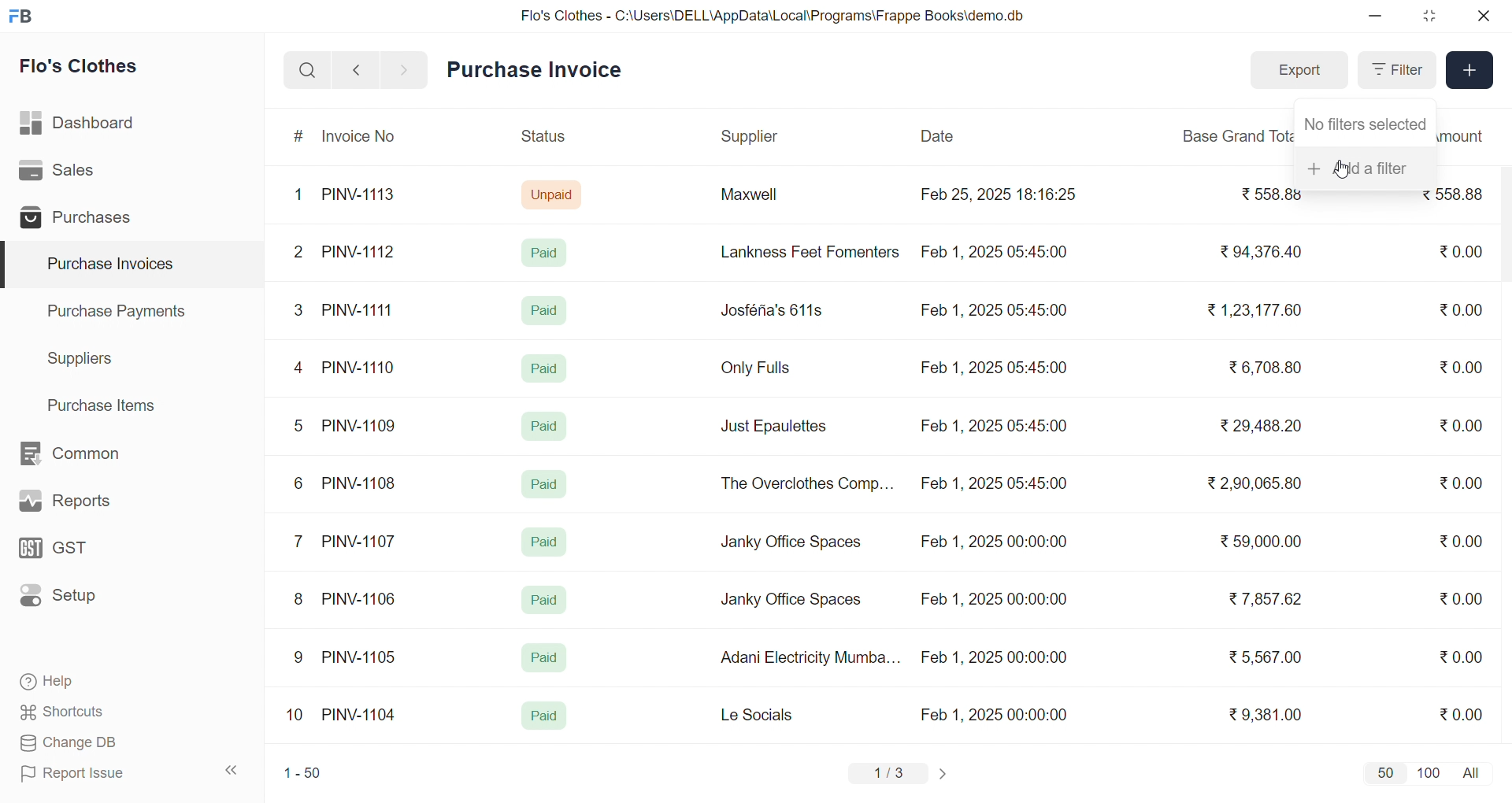  Describe the element at coordinates (805, 483) in the screenshot. I see `The Overclothes Comp...` at that location.